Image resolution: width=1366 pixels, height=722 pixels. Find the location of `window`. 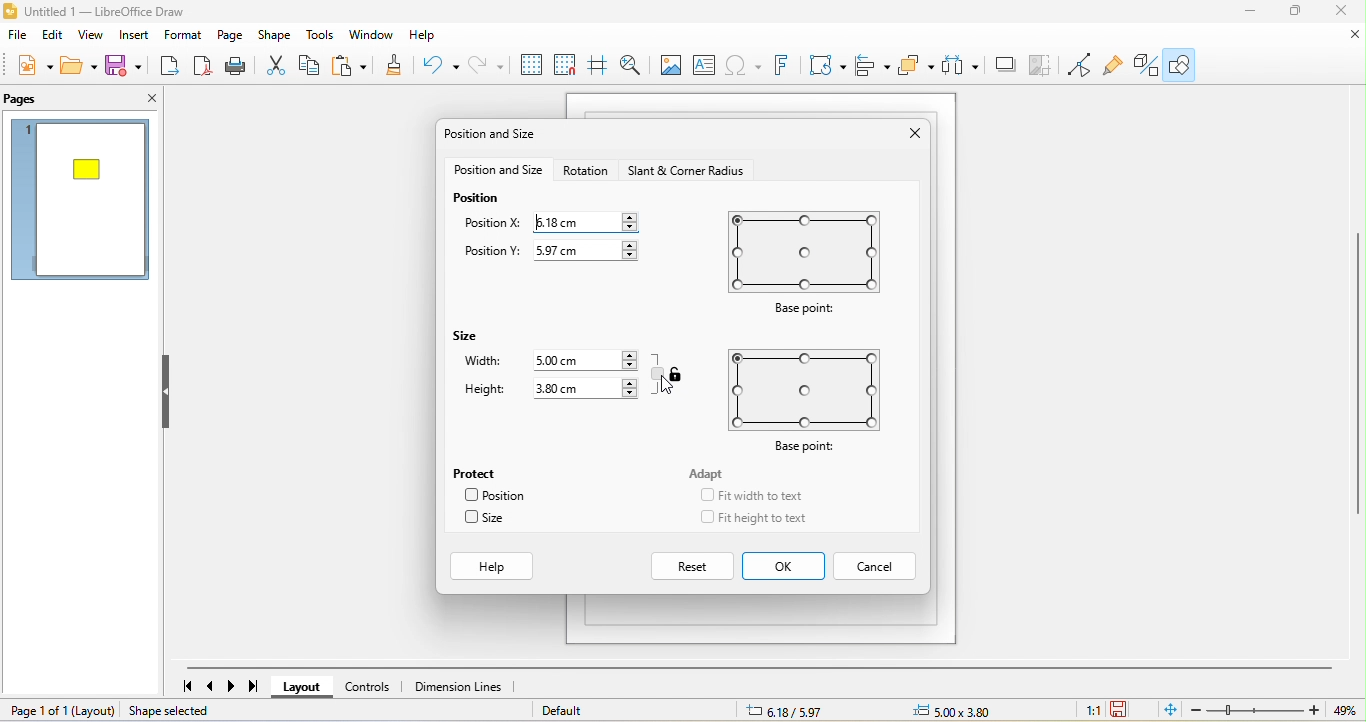

window is located at coordinates (375, 35).